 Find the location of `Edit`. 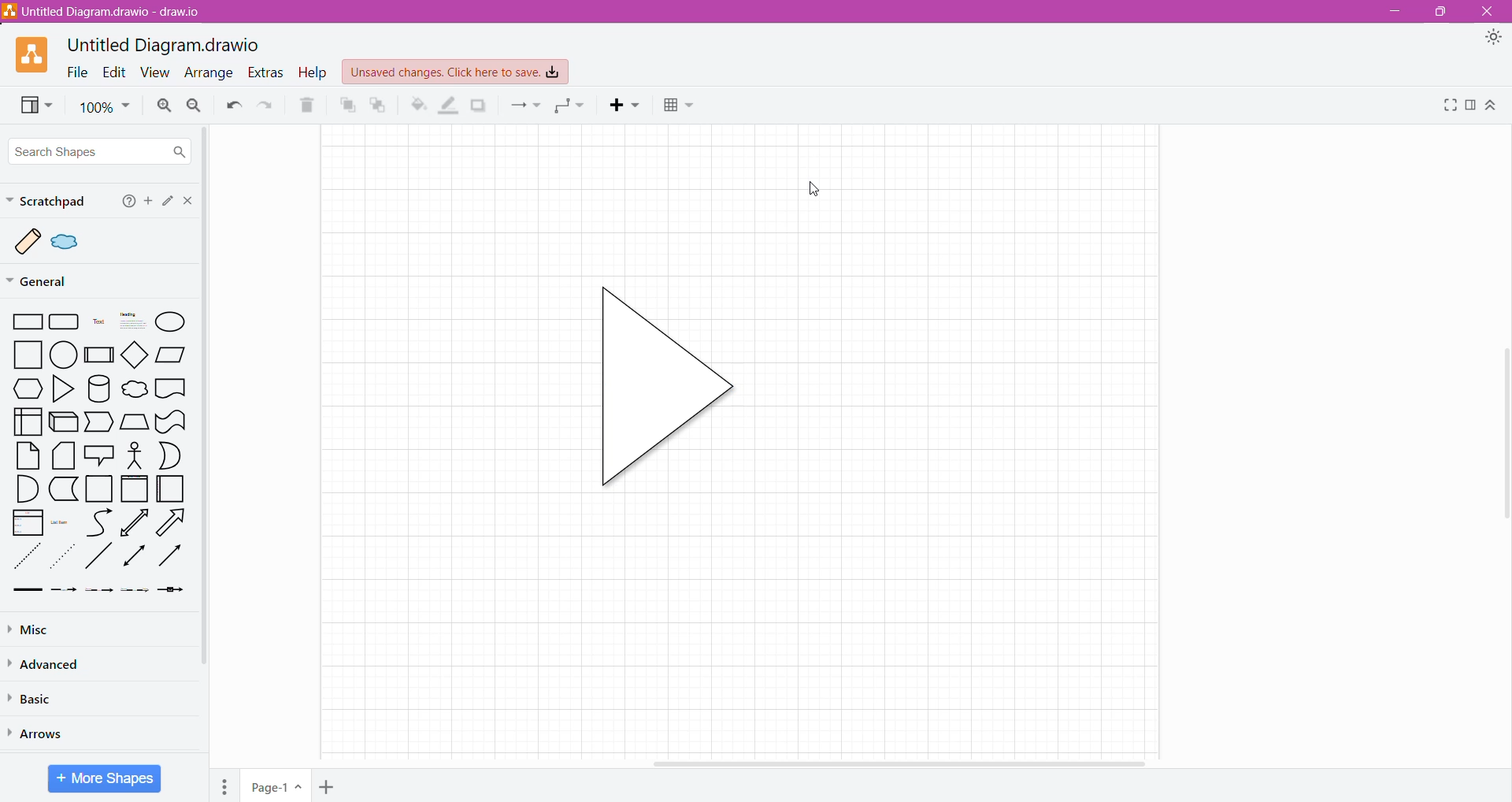

Edit is located at coordinates (114, 72).